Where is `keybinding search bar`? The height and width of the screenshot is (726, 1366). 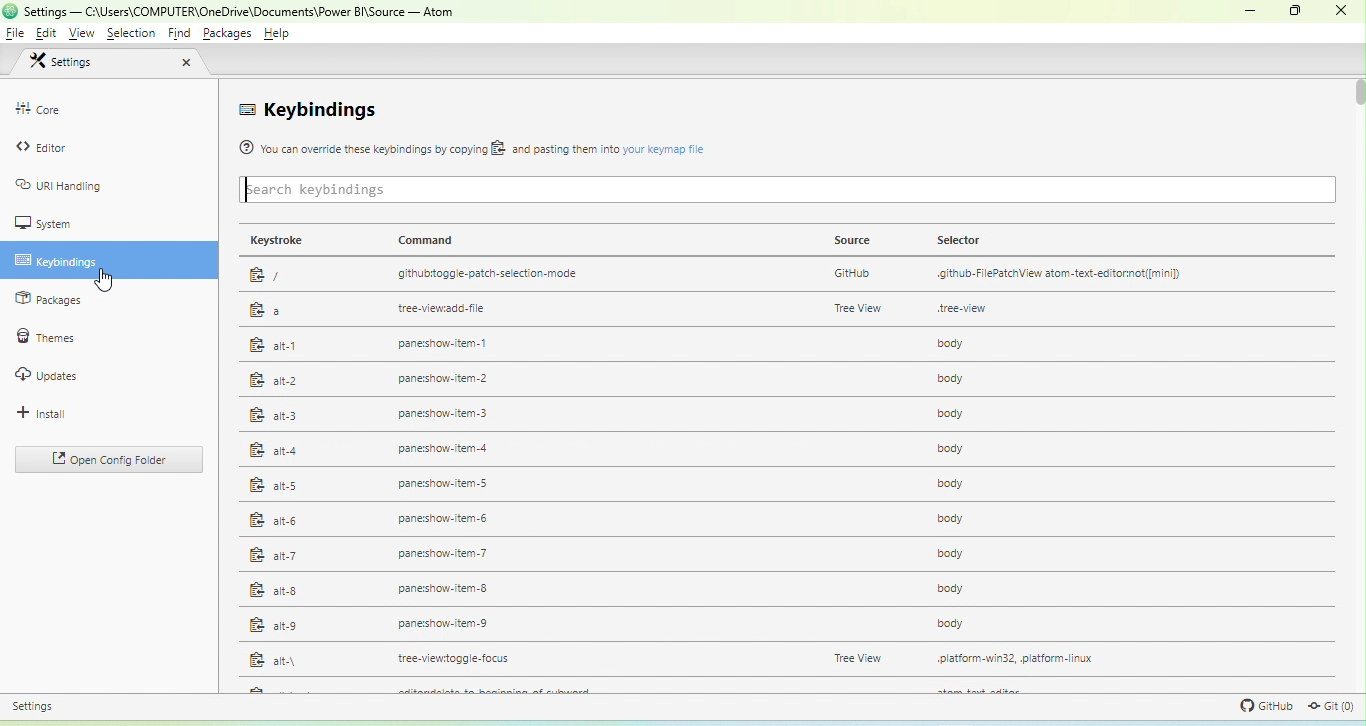
keybinding search bar is located at coordinates (788, 190).